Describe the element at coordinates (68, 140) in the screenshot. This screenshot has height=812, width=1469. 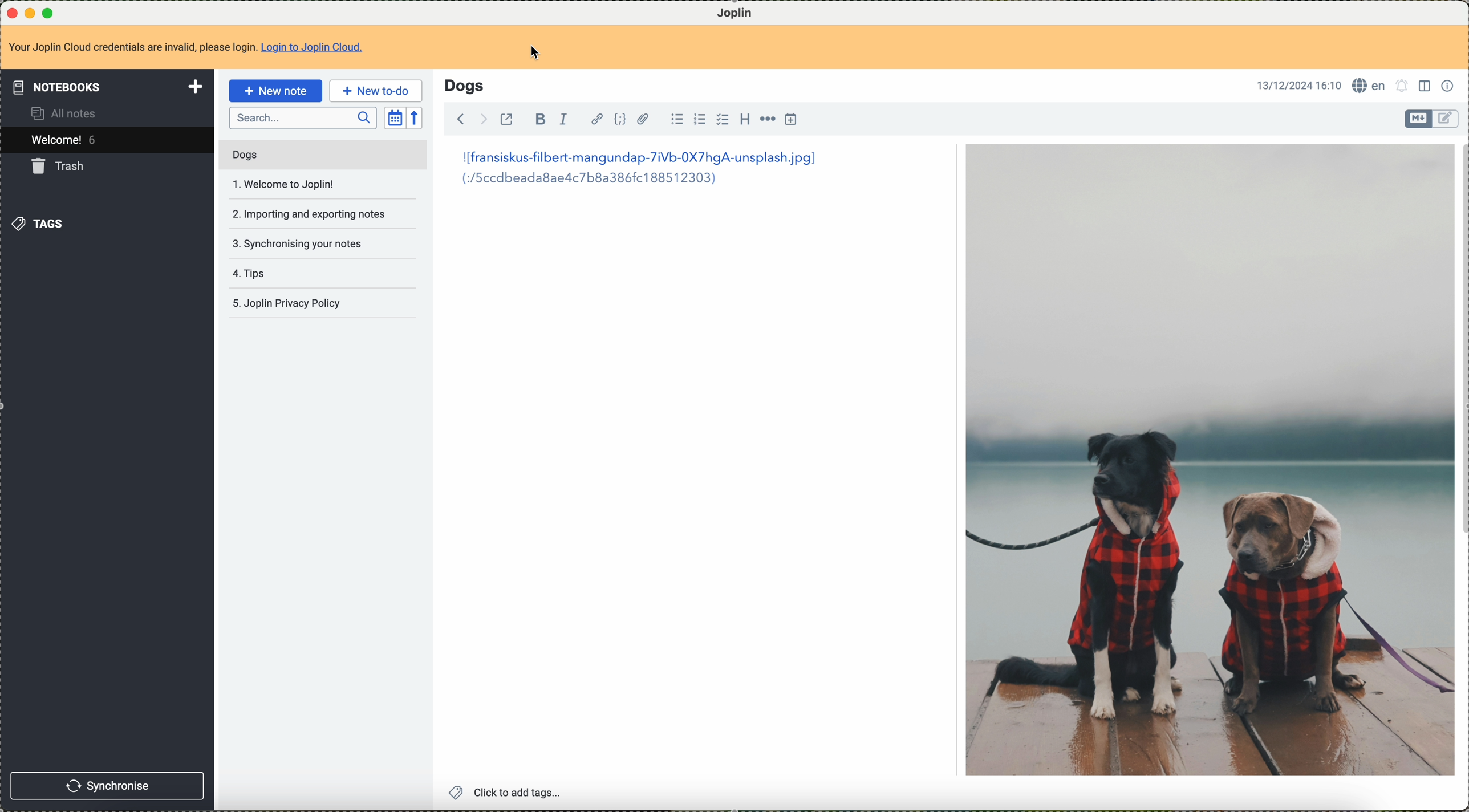
I see `welcome` at that location.